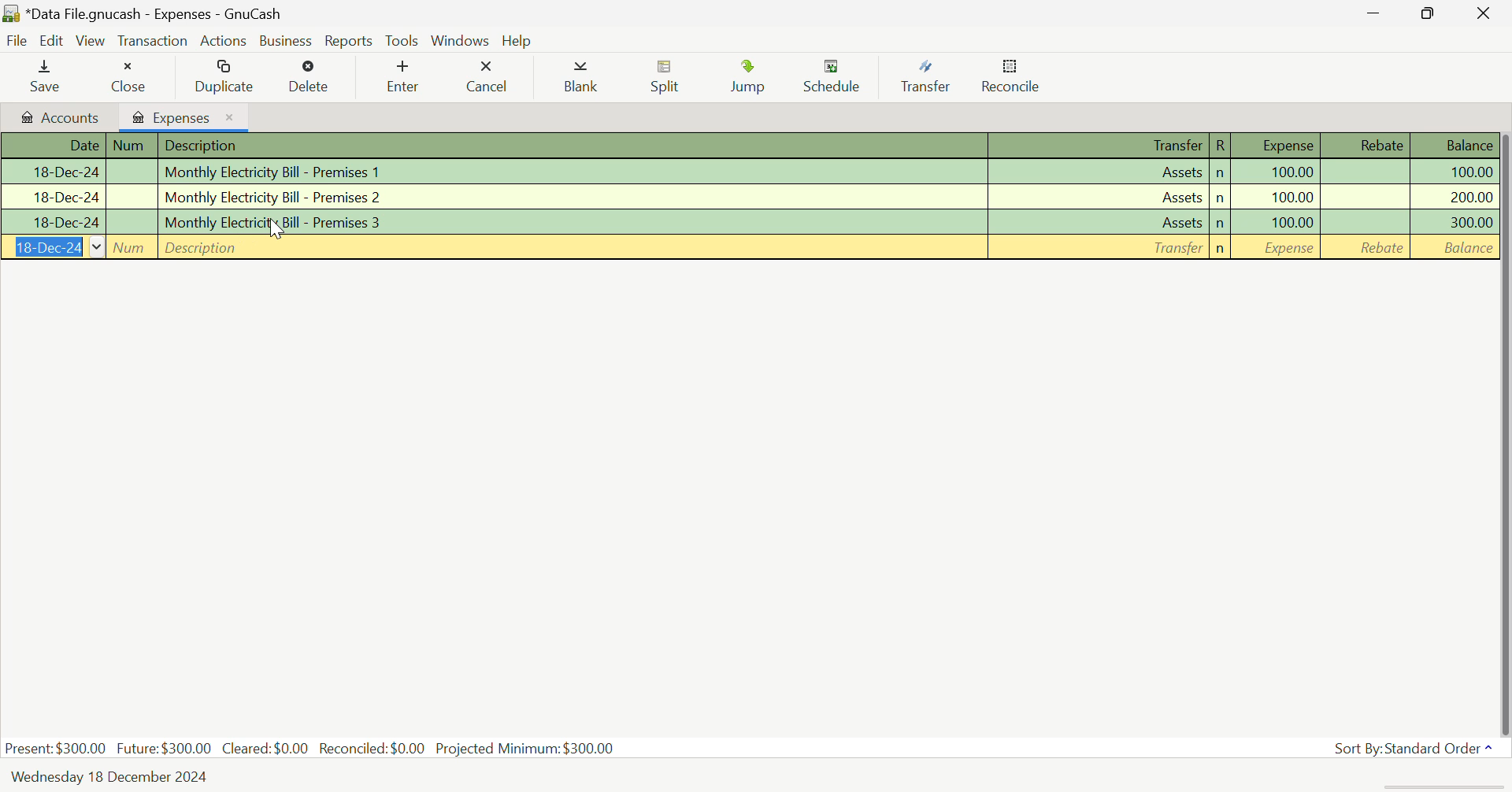 This screenshot has width=1512, height=792. Describe the element at coordinates (1503, 431) in the screenshot. I see `vertical scroll bar` at that location.